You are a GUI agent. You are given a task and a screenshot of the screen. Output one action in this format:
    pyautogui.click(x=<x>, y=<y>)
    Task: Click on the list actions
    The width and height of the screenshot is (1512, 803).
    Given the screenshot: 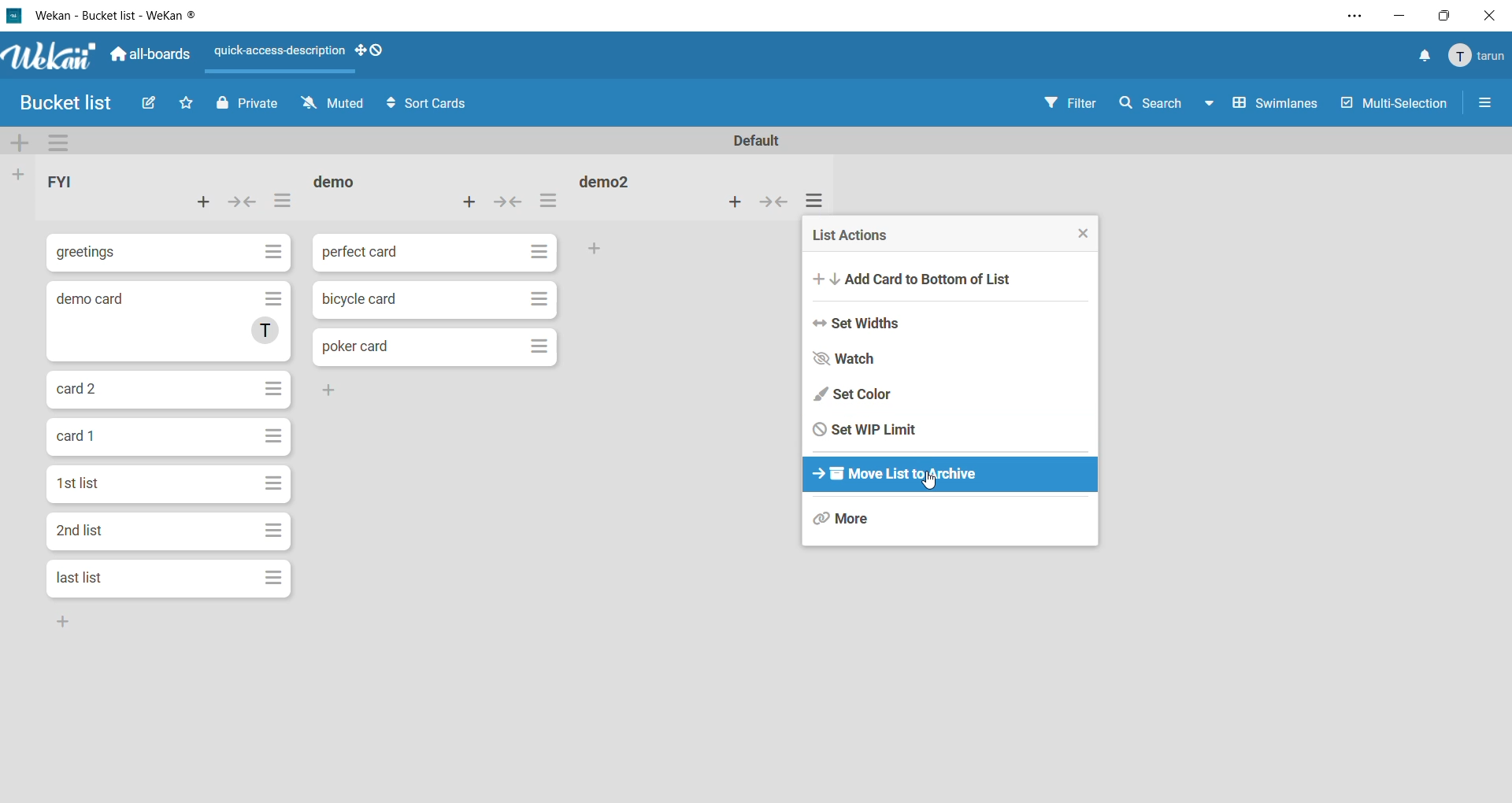 What is the action you would take?
    pyautogui.click(x=821, y=202)
    